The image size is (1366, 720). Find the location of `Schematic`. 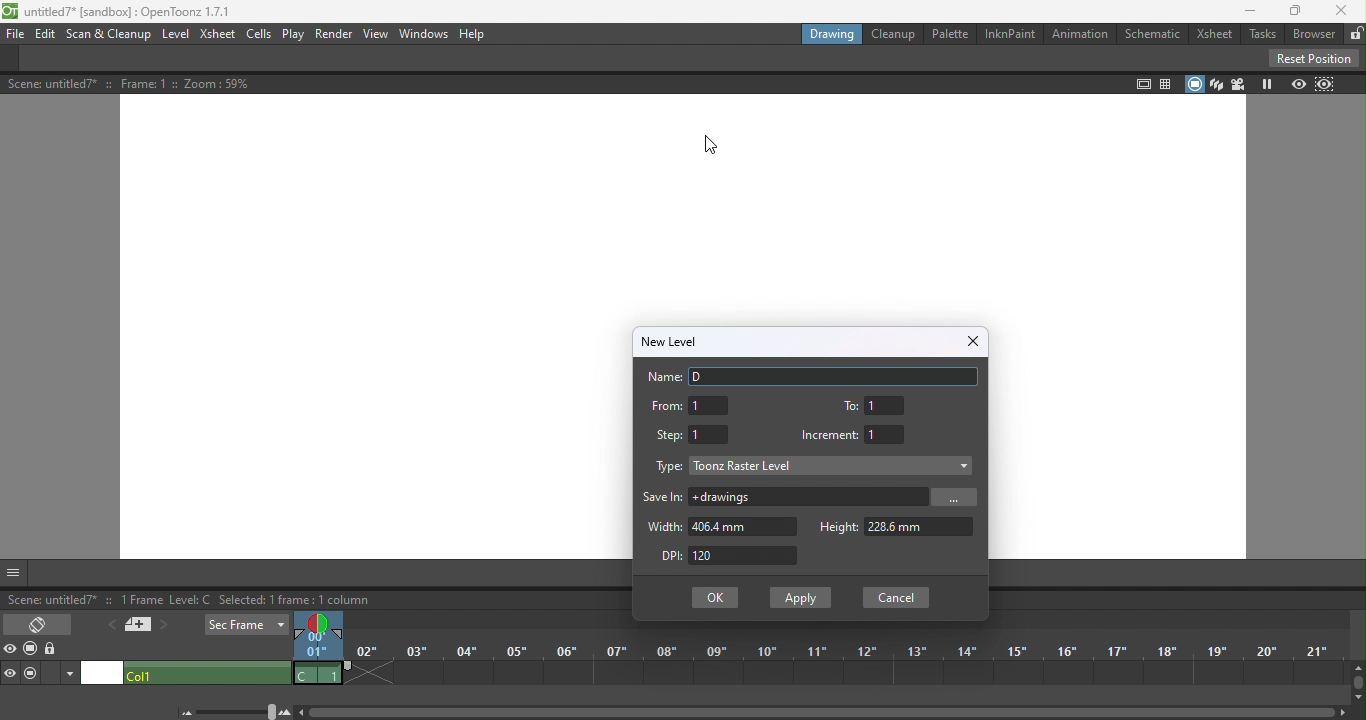

Schematic is located at coordinates (1152, 34).